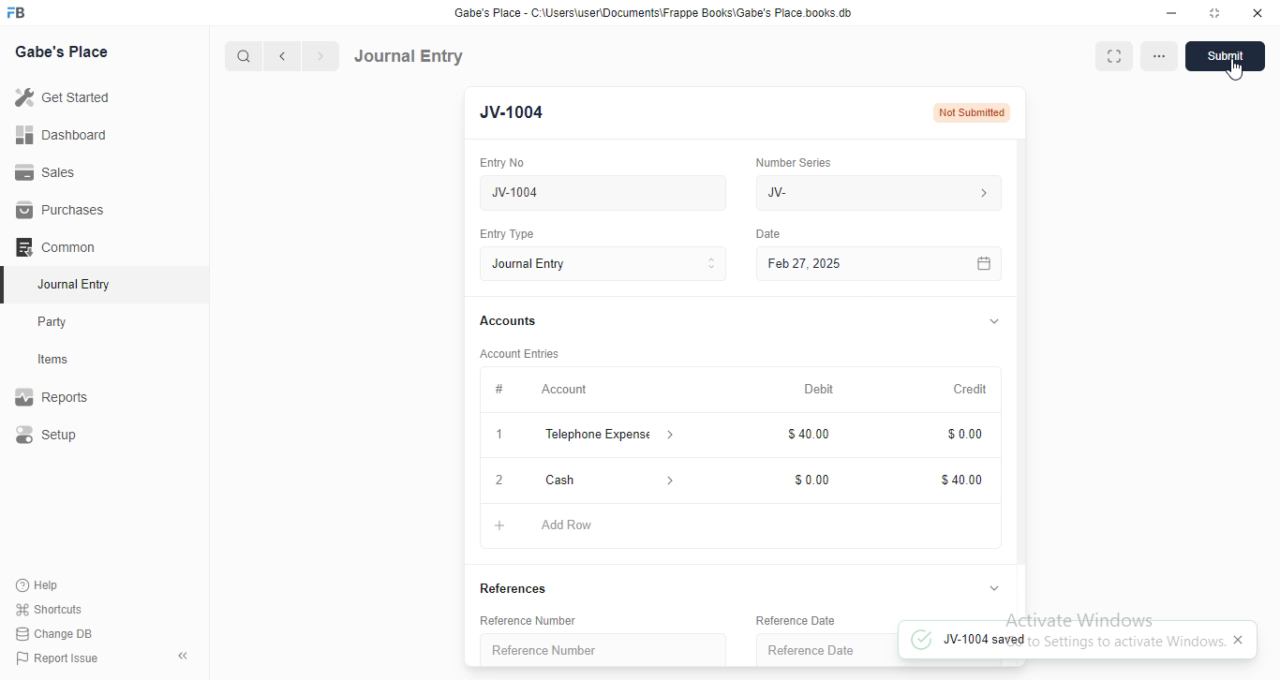  Describe the element at coordinates (974, 640) in the screenshot. I see `JV-1004 saved` at that location.